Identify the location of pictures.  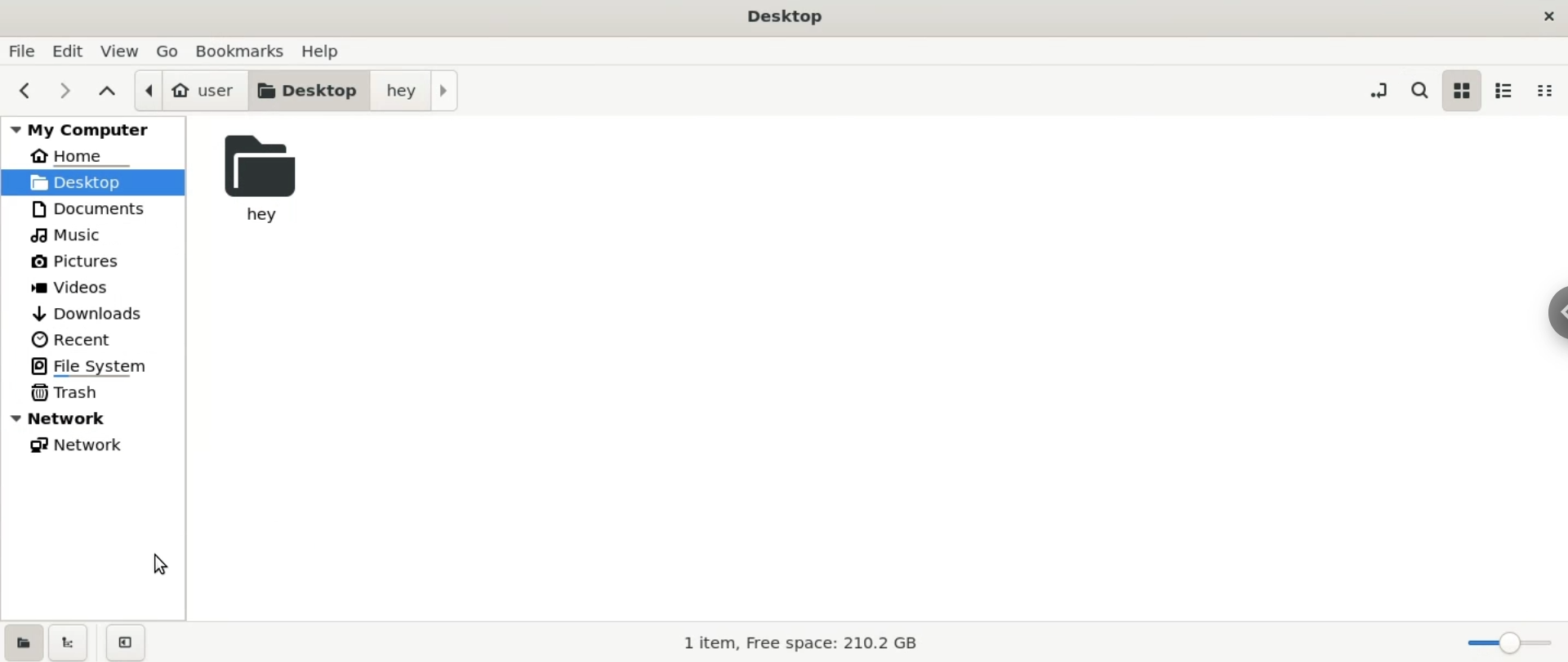
(71, 260).